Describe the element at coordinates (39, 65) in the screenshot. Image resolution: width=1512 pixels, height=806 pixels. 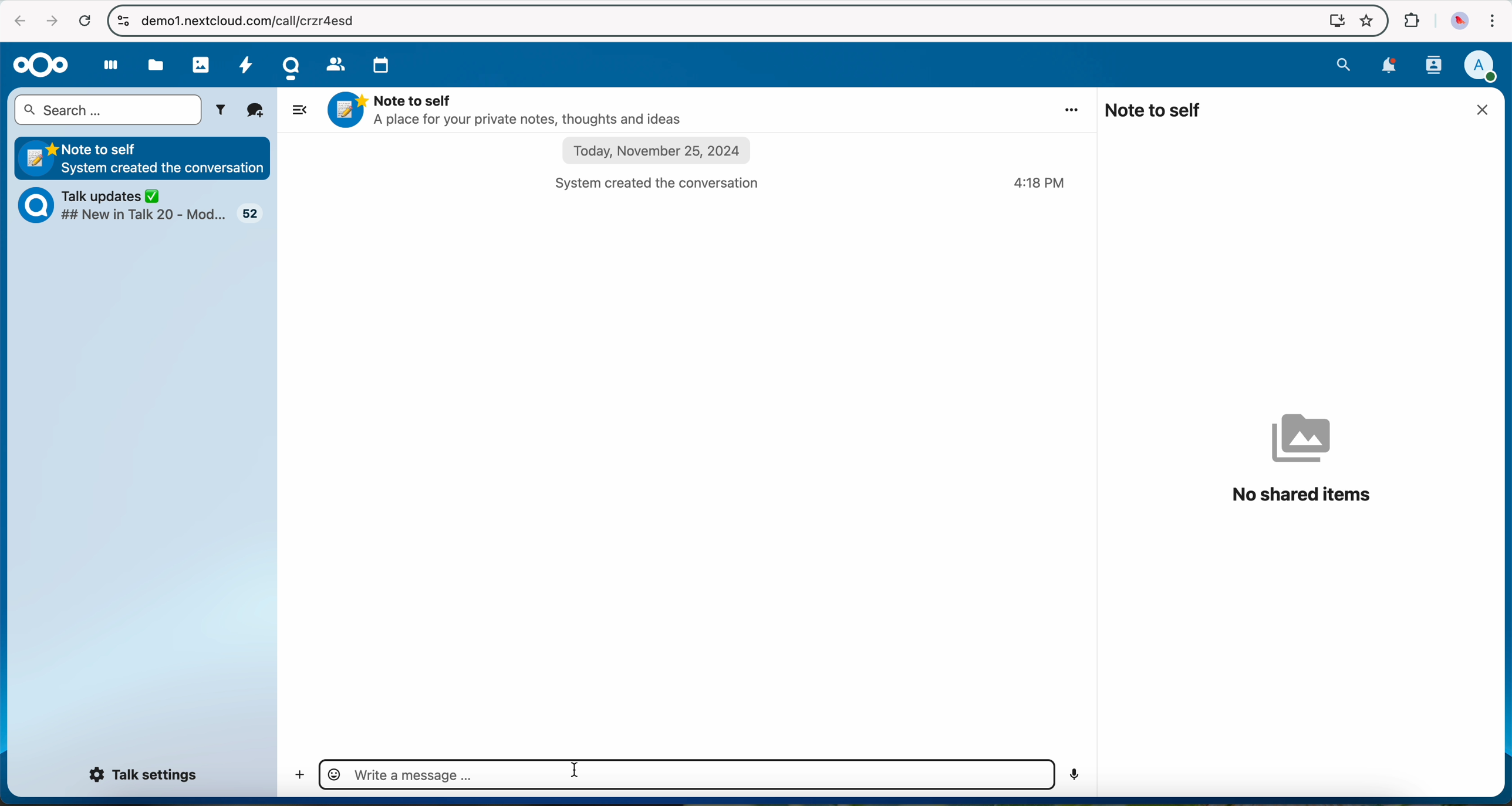
I see `Nextcloud logo` at that location.